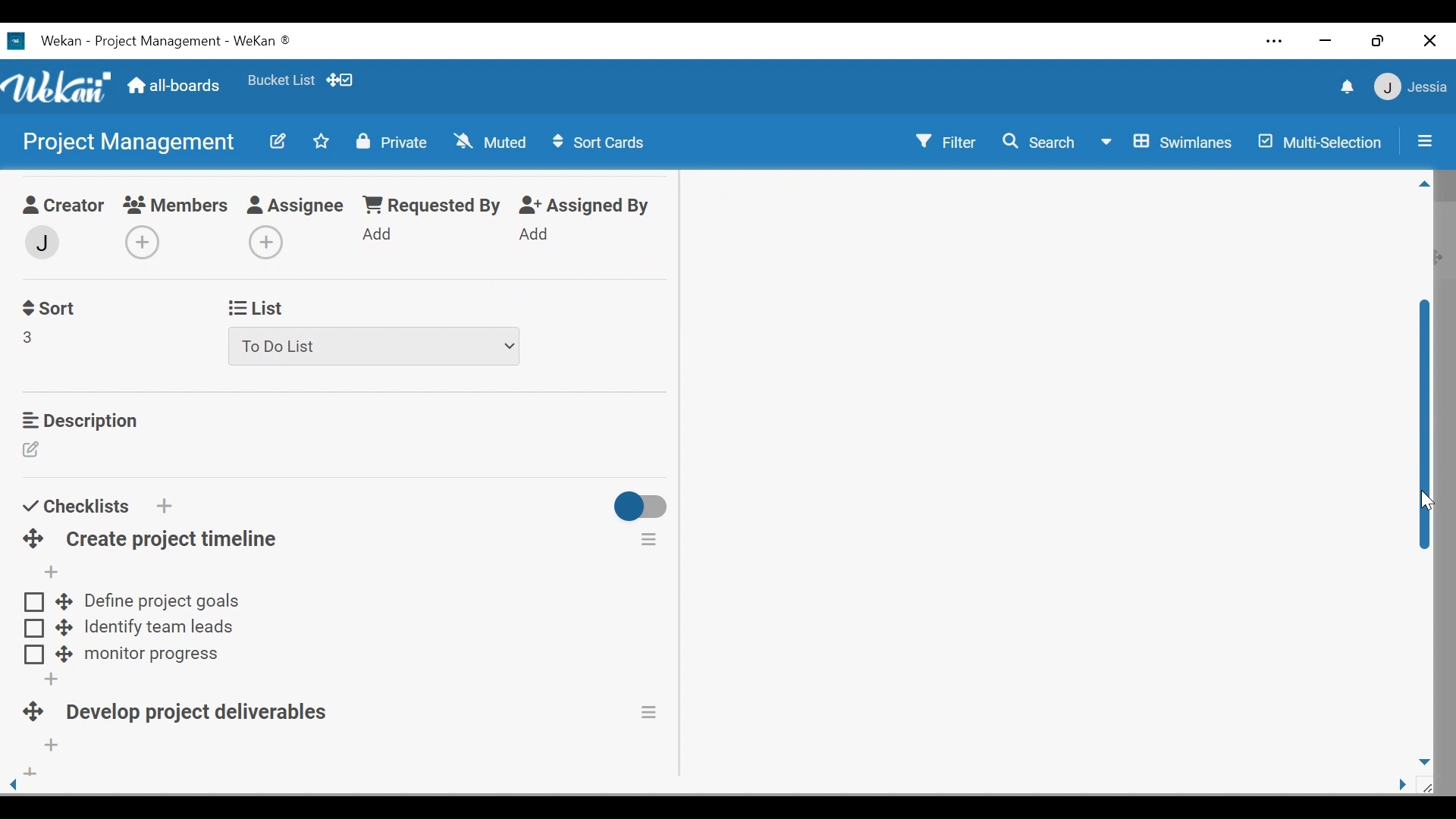  Describe the element at coordinates (165, 507) in the screenshot. I see `` at that location.